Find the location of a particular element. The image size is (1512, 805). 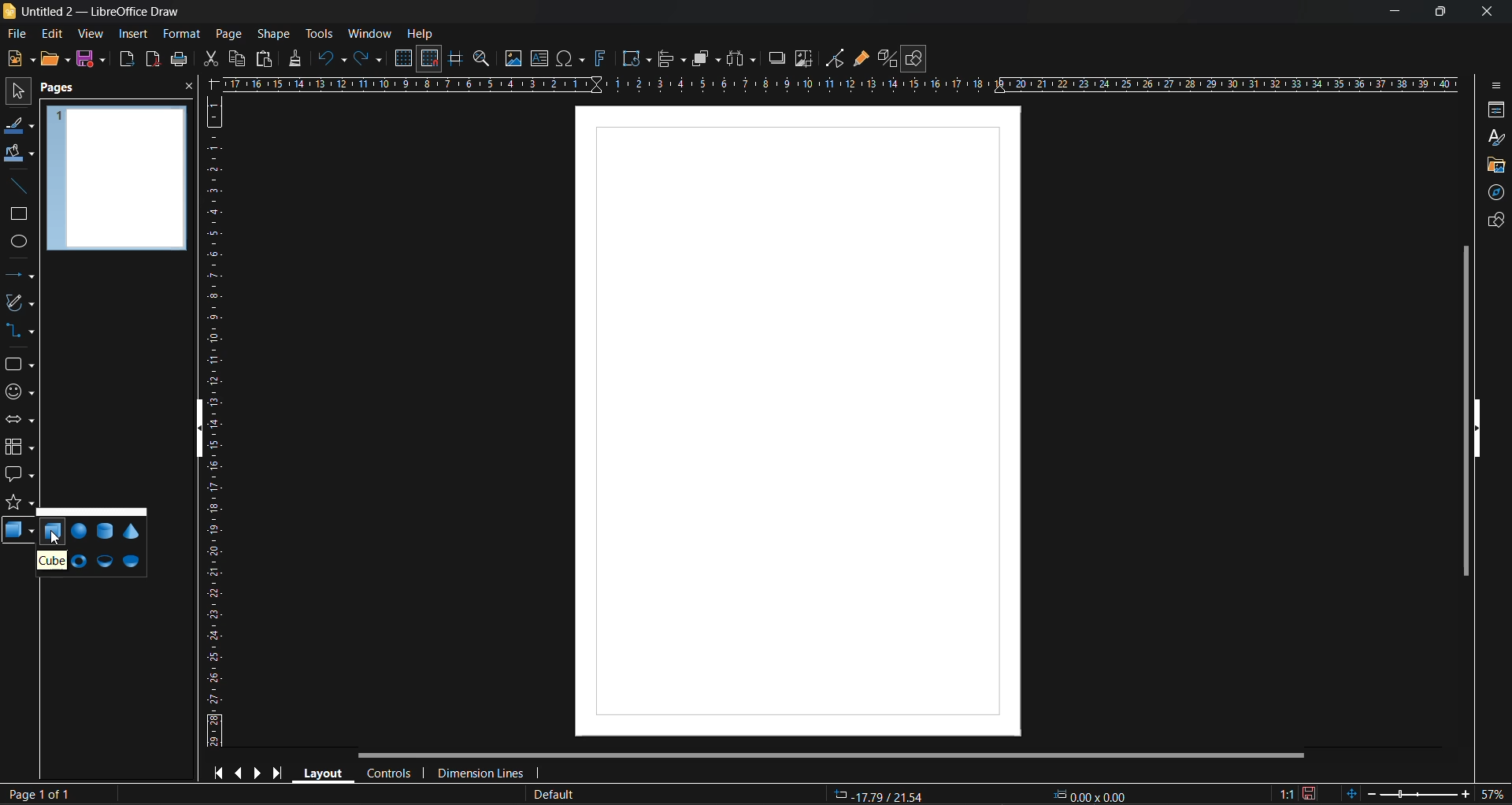

tooltip is located at coordinates (53, 561).